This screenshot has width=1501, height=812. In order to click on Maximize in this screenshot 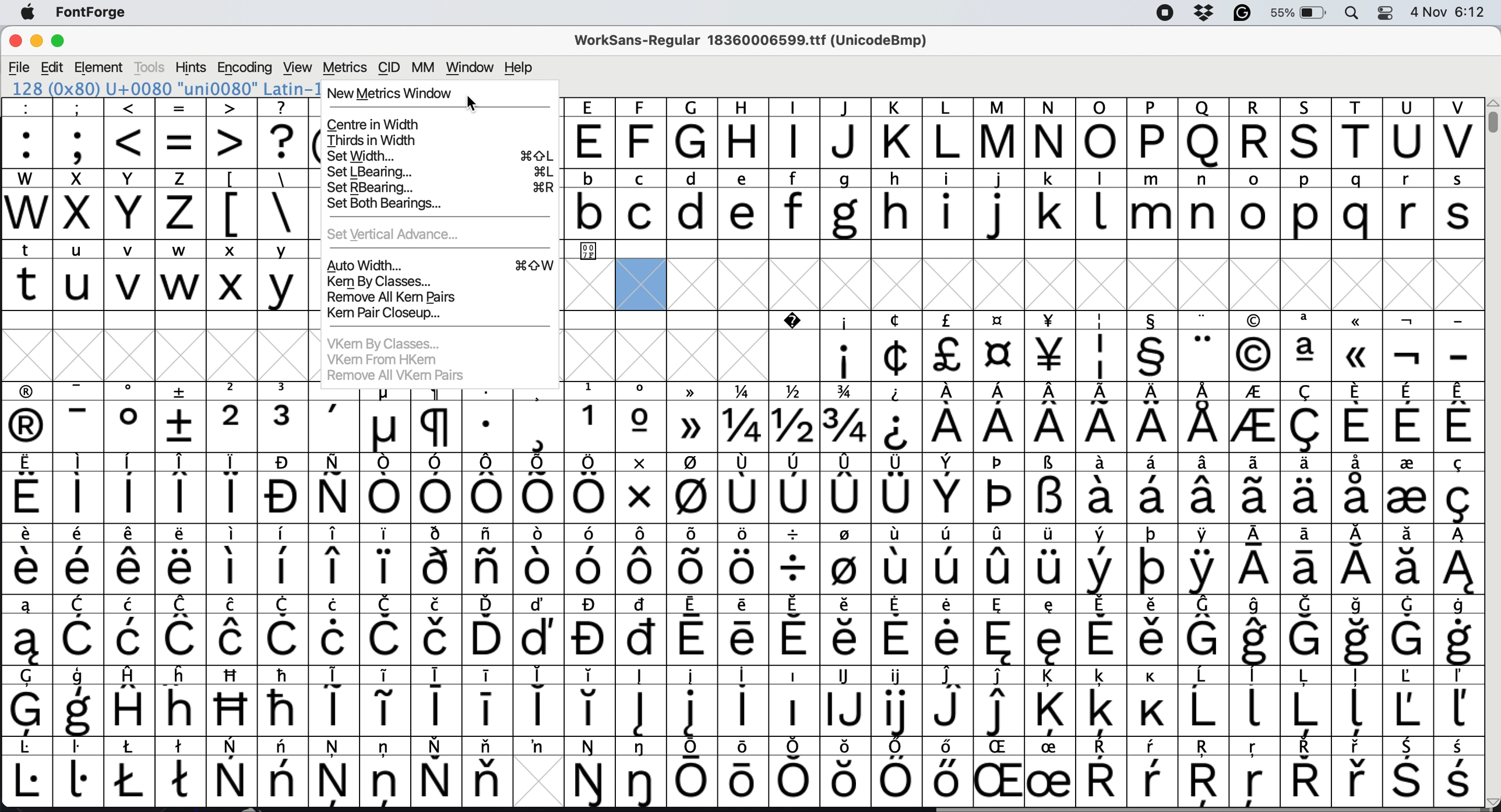, I will do `click(63, 41)`.